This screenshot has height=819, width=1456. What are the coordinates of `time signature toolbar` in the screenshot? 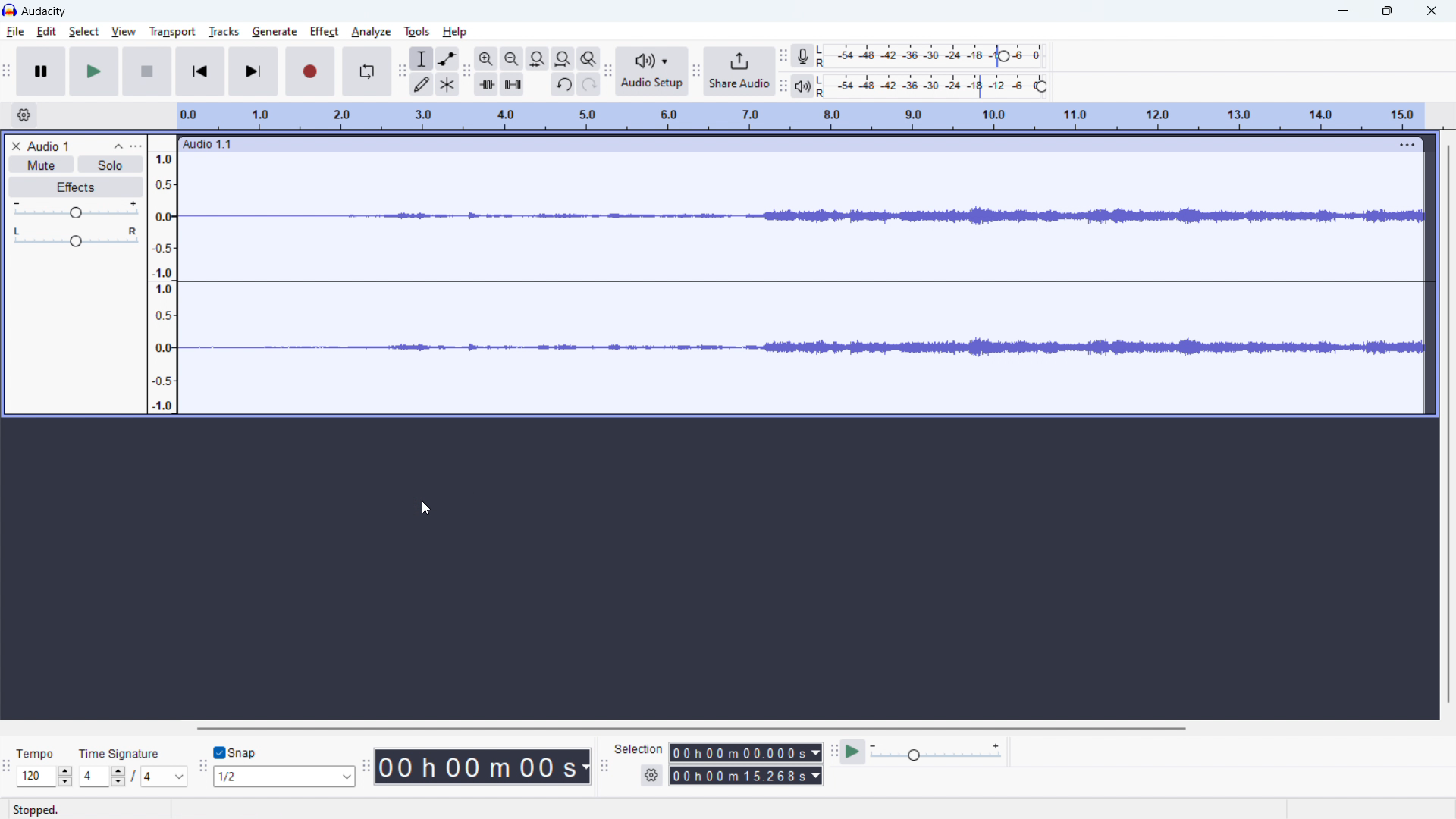 It's located at (6, 767).